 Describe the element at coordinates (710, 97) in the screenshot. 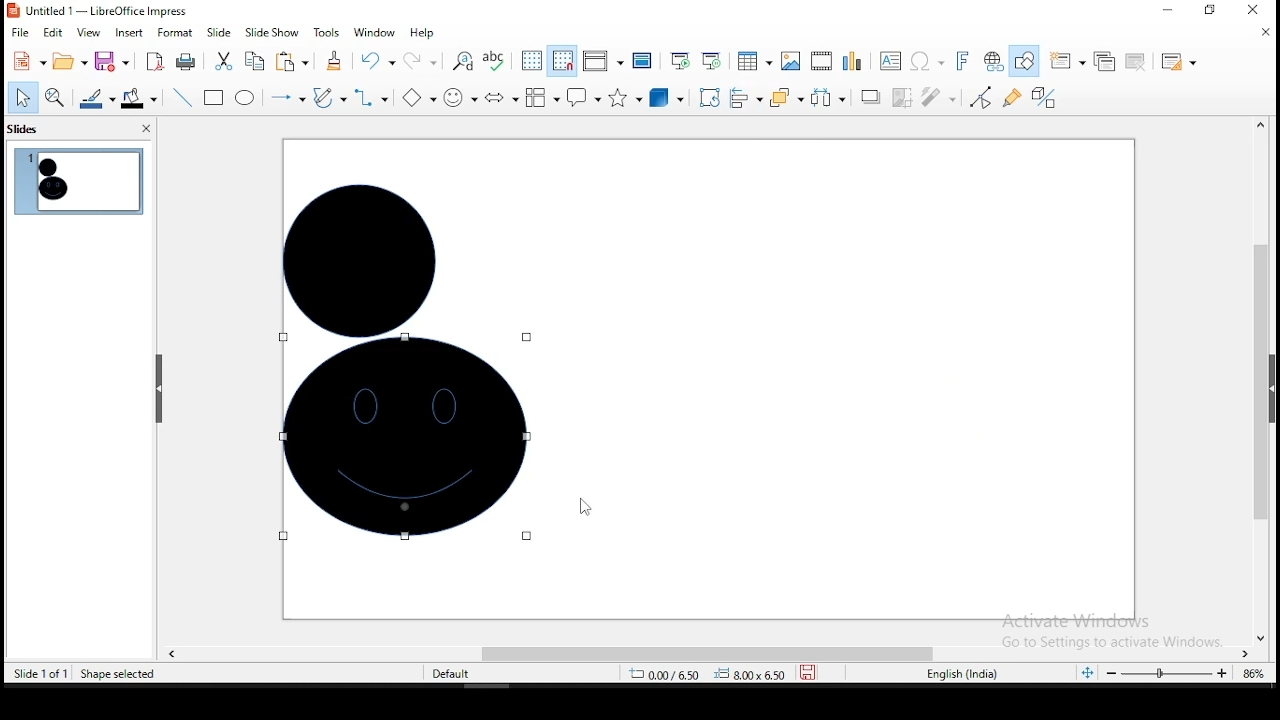

I see `rotate` at that location.